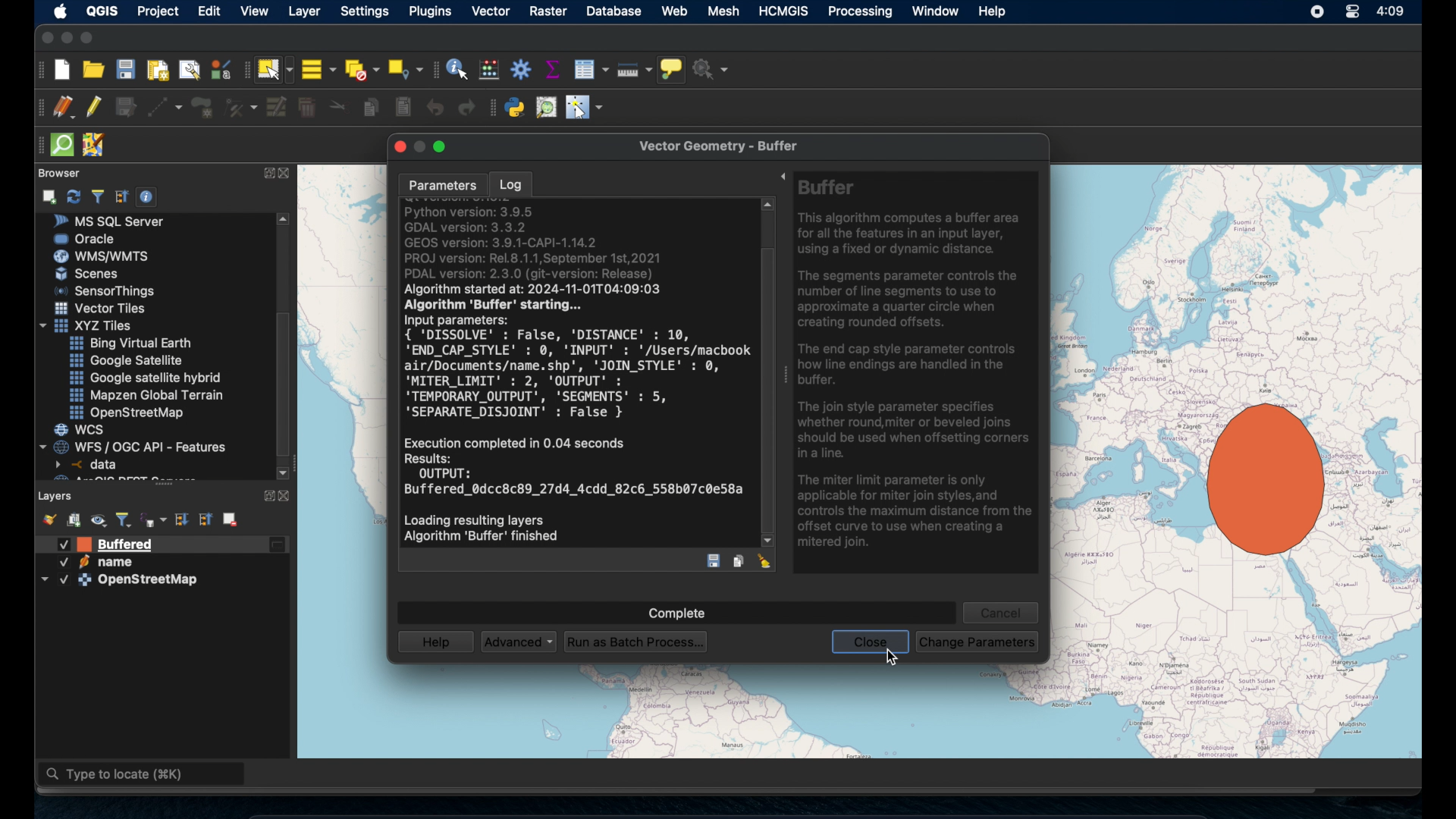  I want to click on plugins toolbar, so click(491, 107).